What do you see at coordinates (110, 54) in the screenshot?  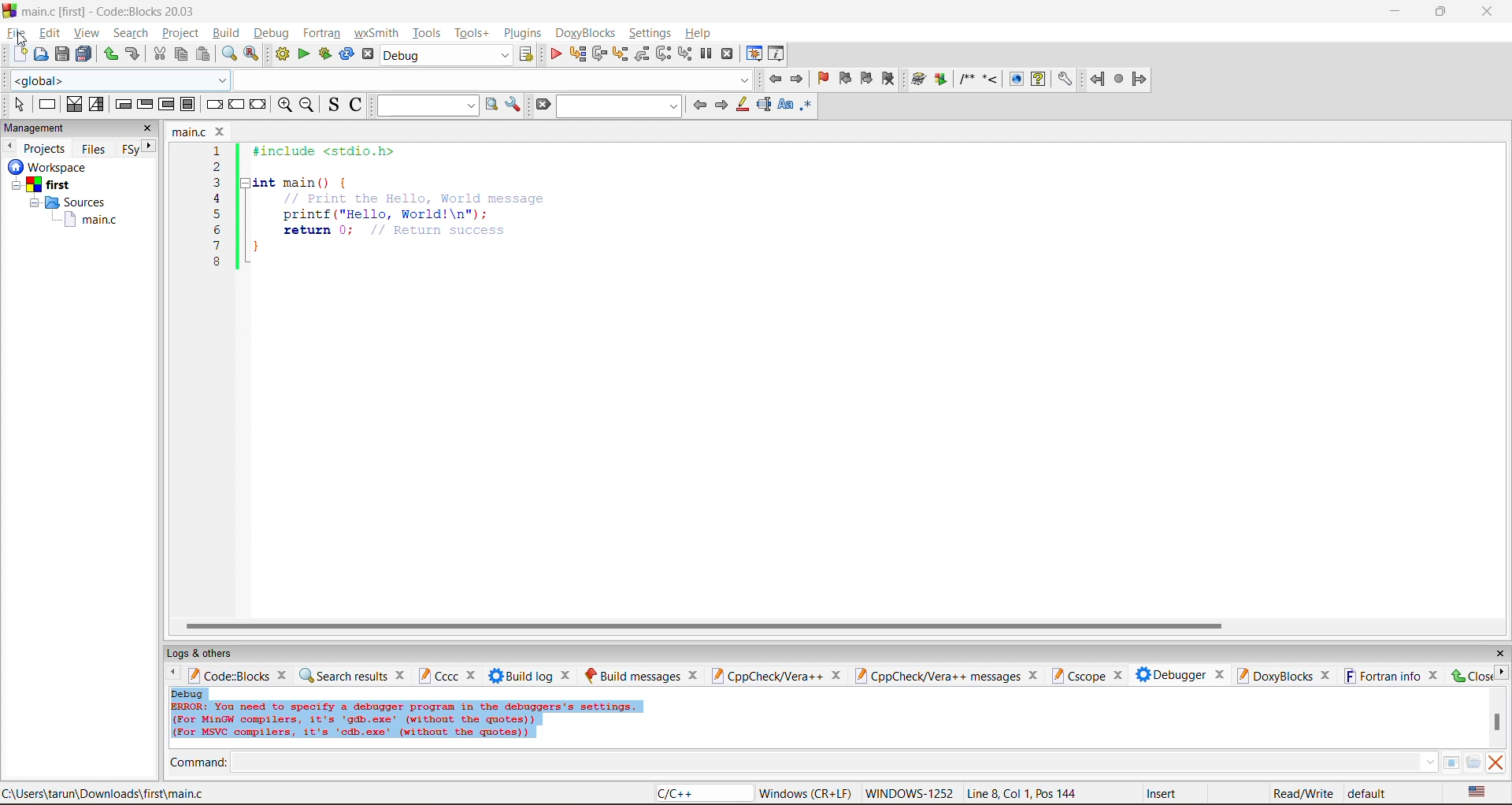 I see `redo` at bounding box center [110, 54].